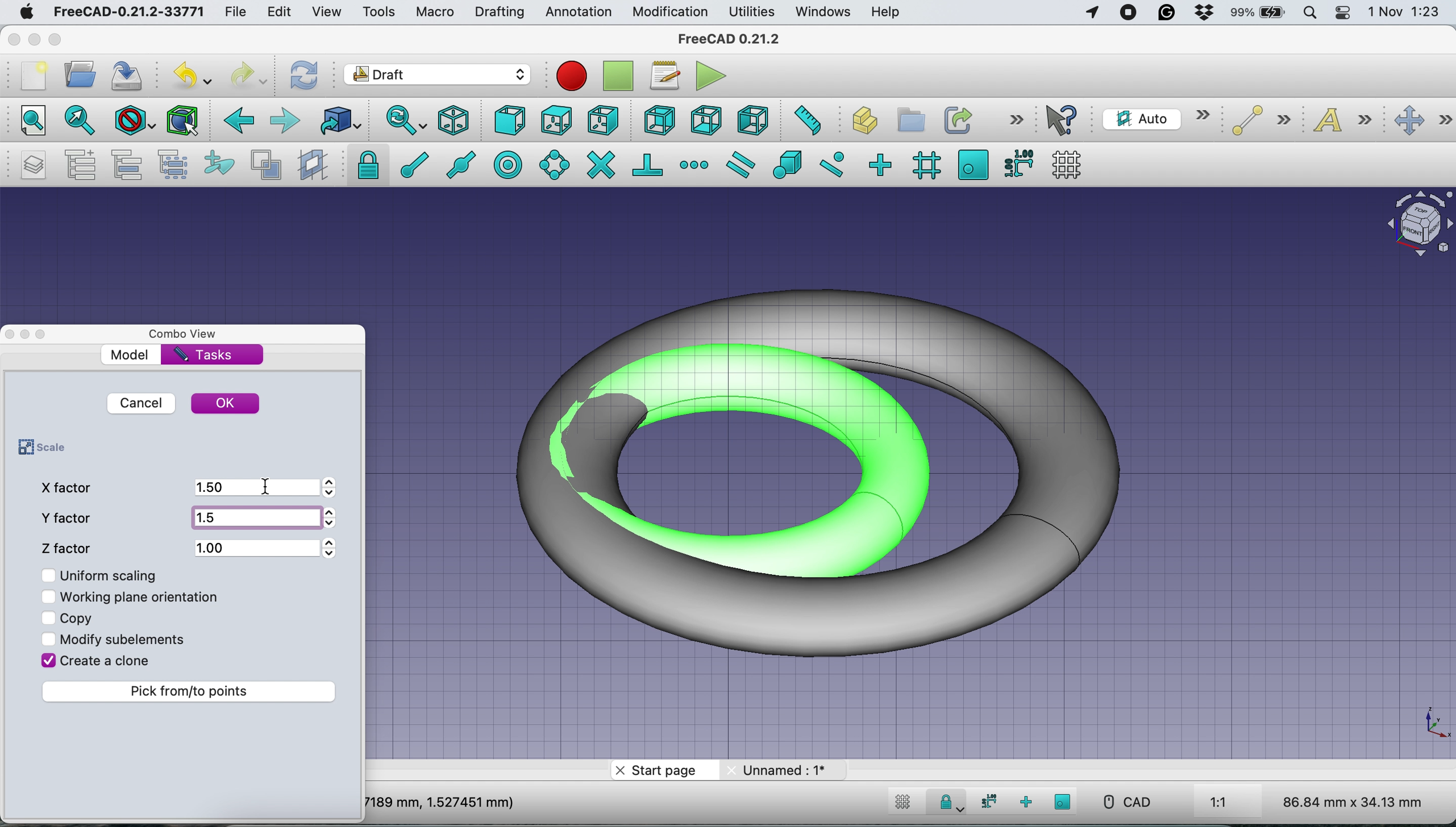  I want to click on CAD, so click(1121, 802).